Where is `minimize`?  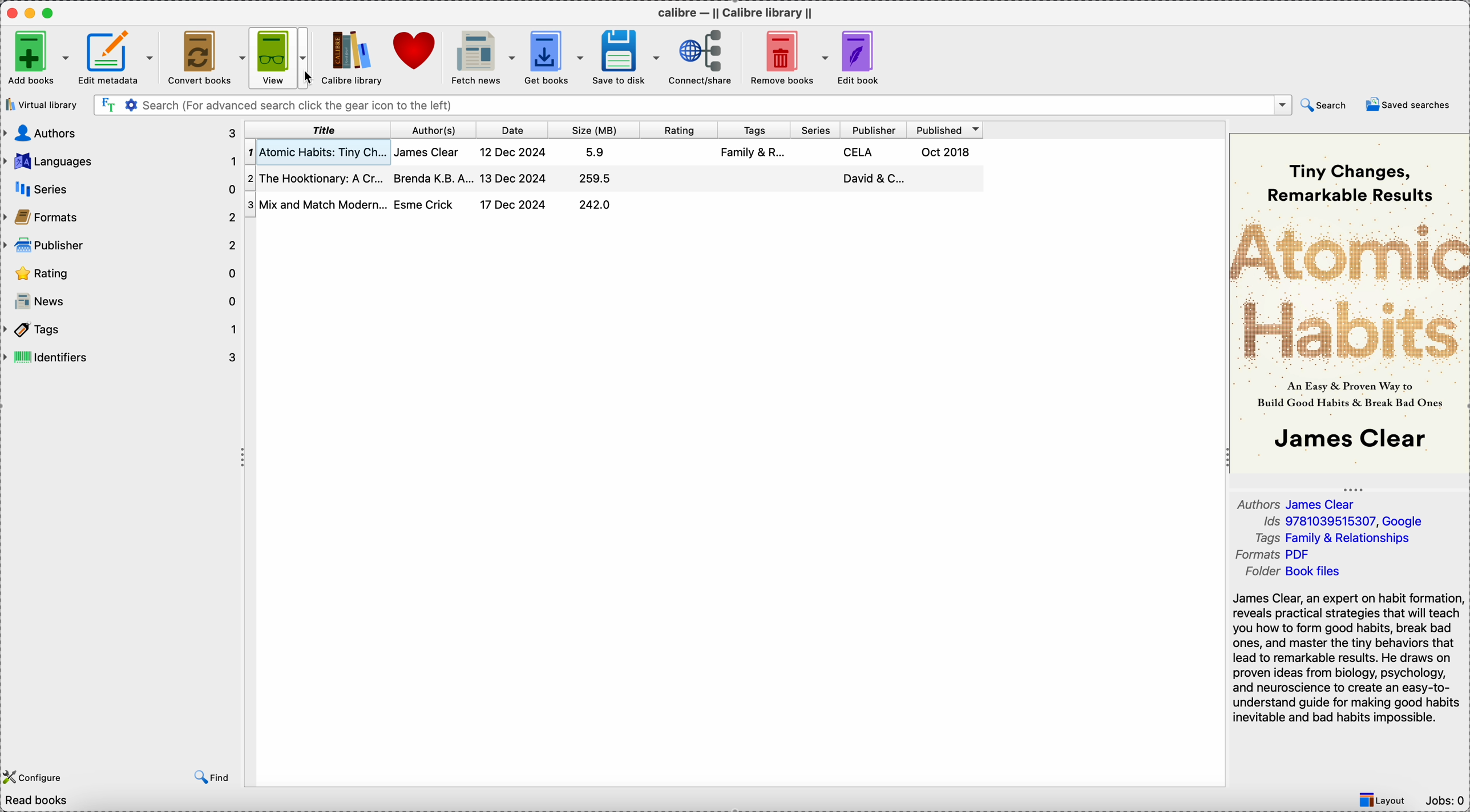
minimize is located at coordinates (32, 12).